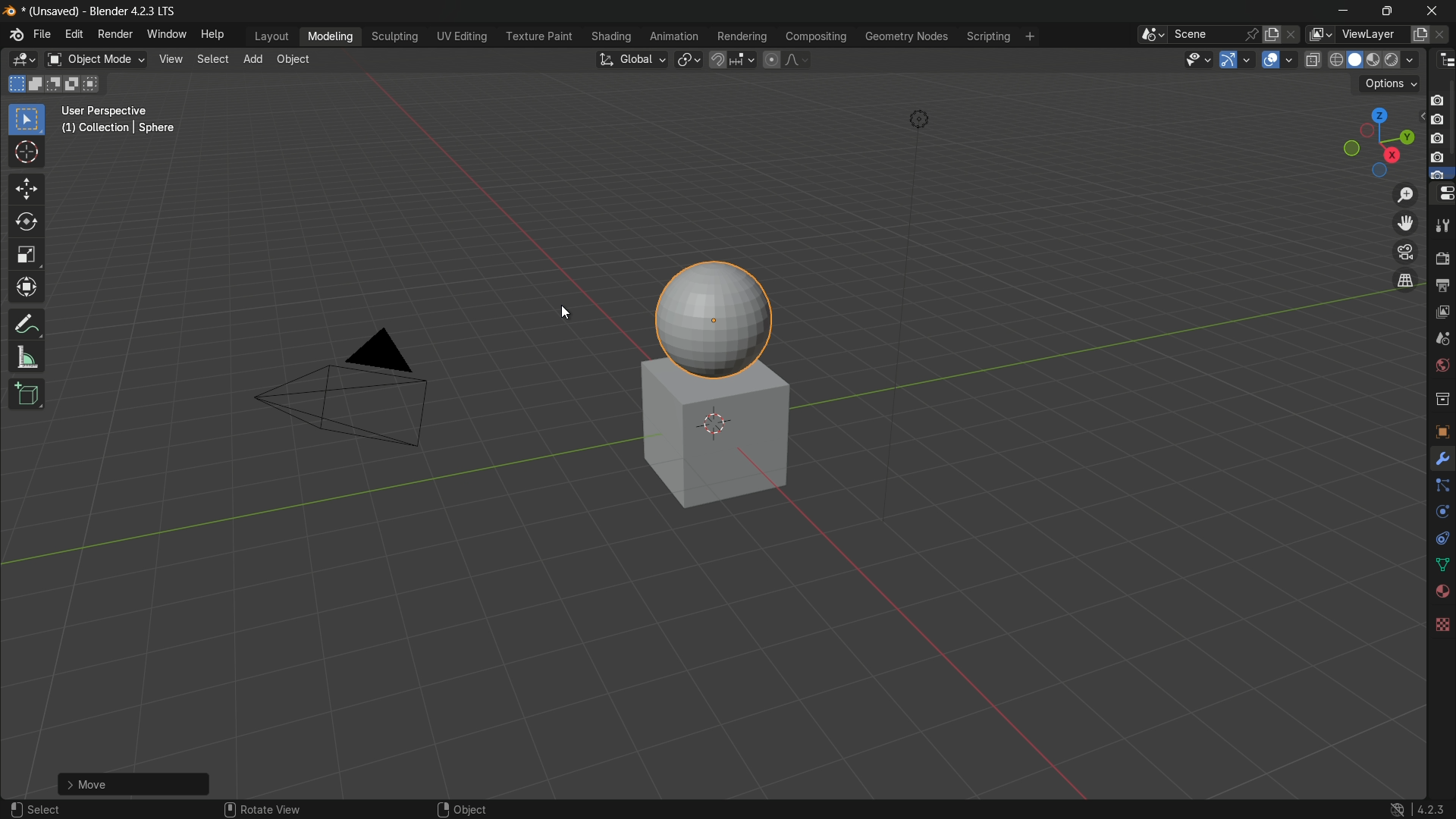  I want to click on camera, so click(353, 395).